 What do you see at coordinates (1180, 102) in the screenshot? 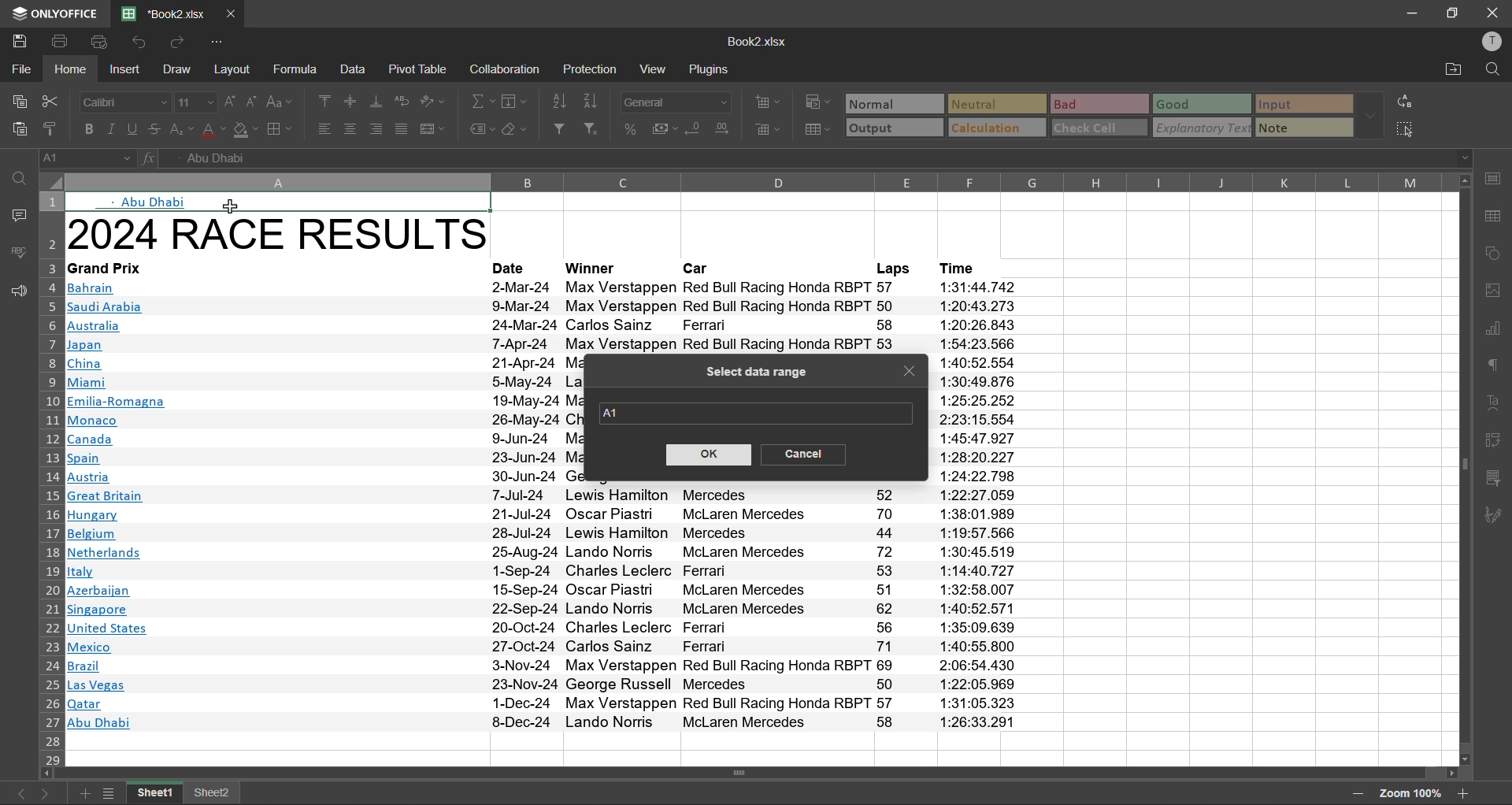
I see `good` at bounding box center [1180, 102].